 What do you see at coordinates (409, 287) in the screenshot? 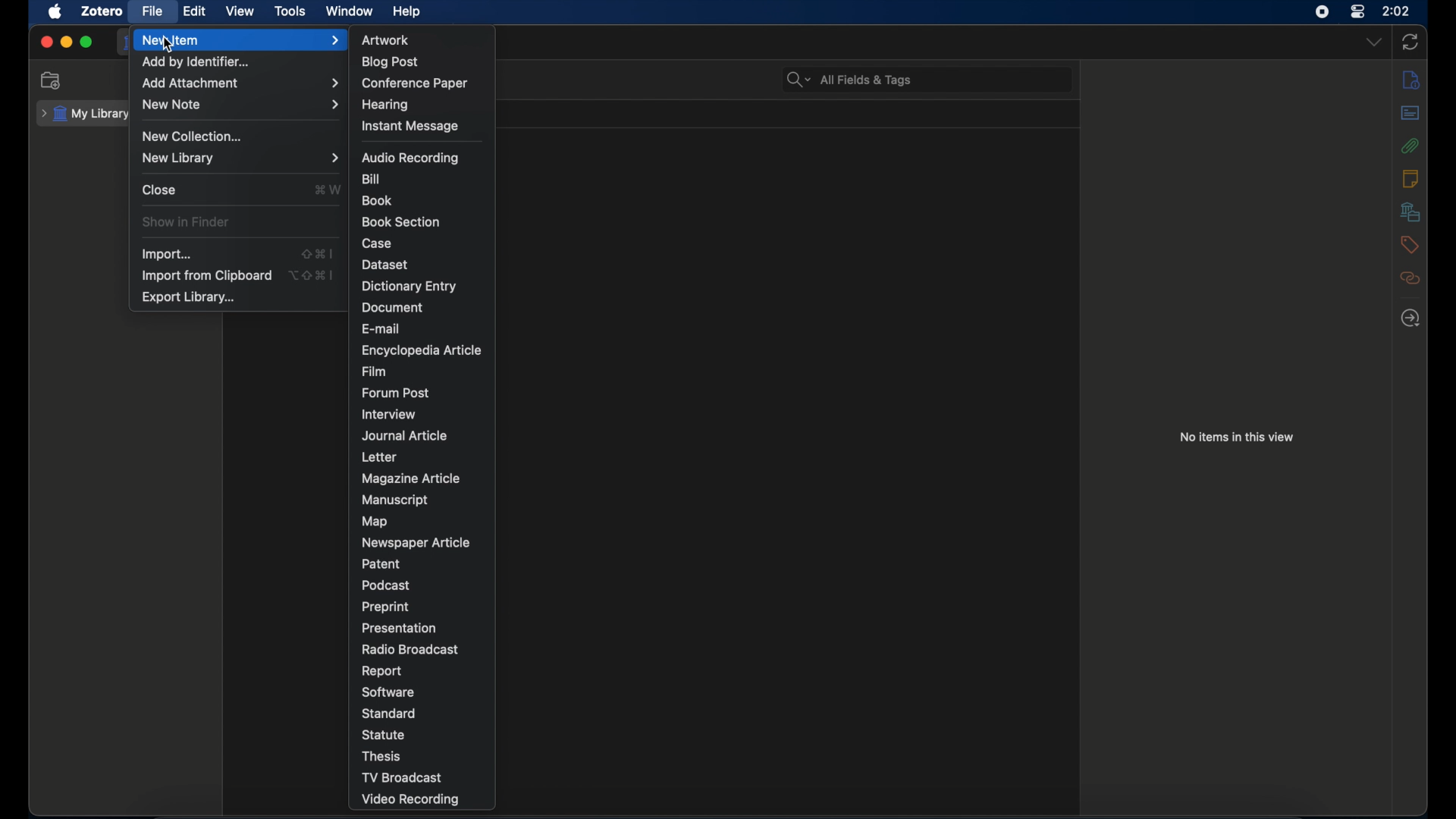
I see `dictionary entry` at bounding box center [409, 287].